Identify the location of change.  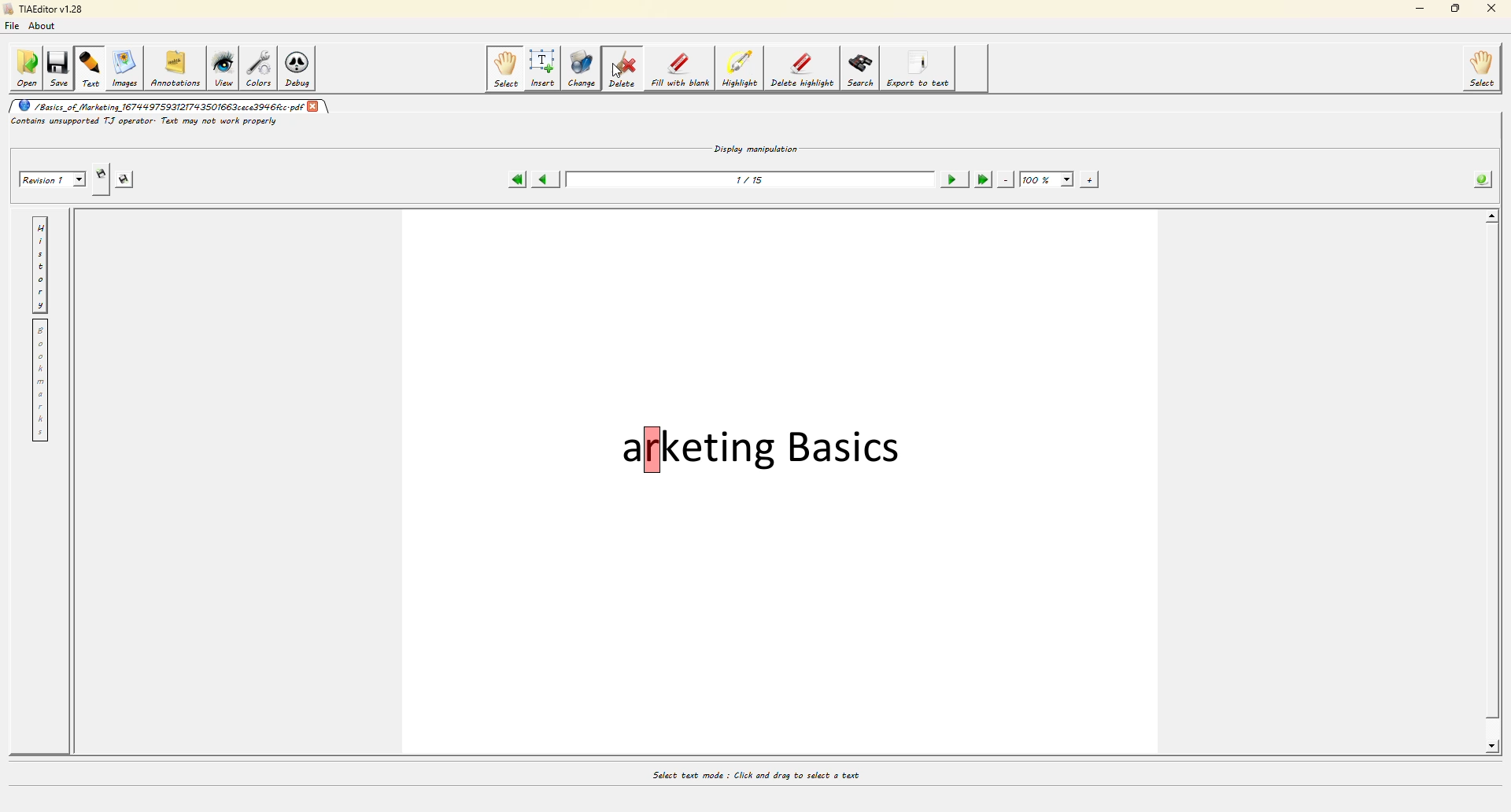
(583, 68).